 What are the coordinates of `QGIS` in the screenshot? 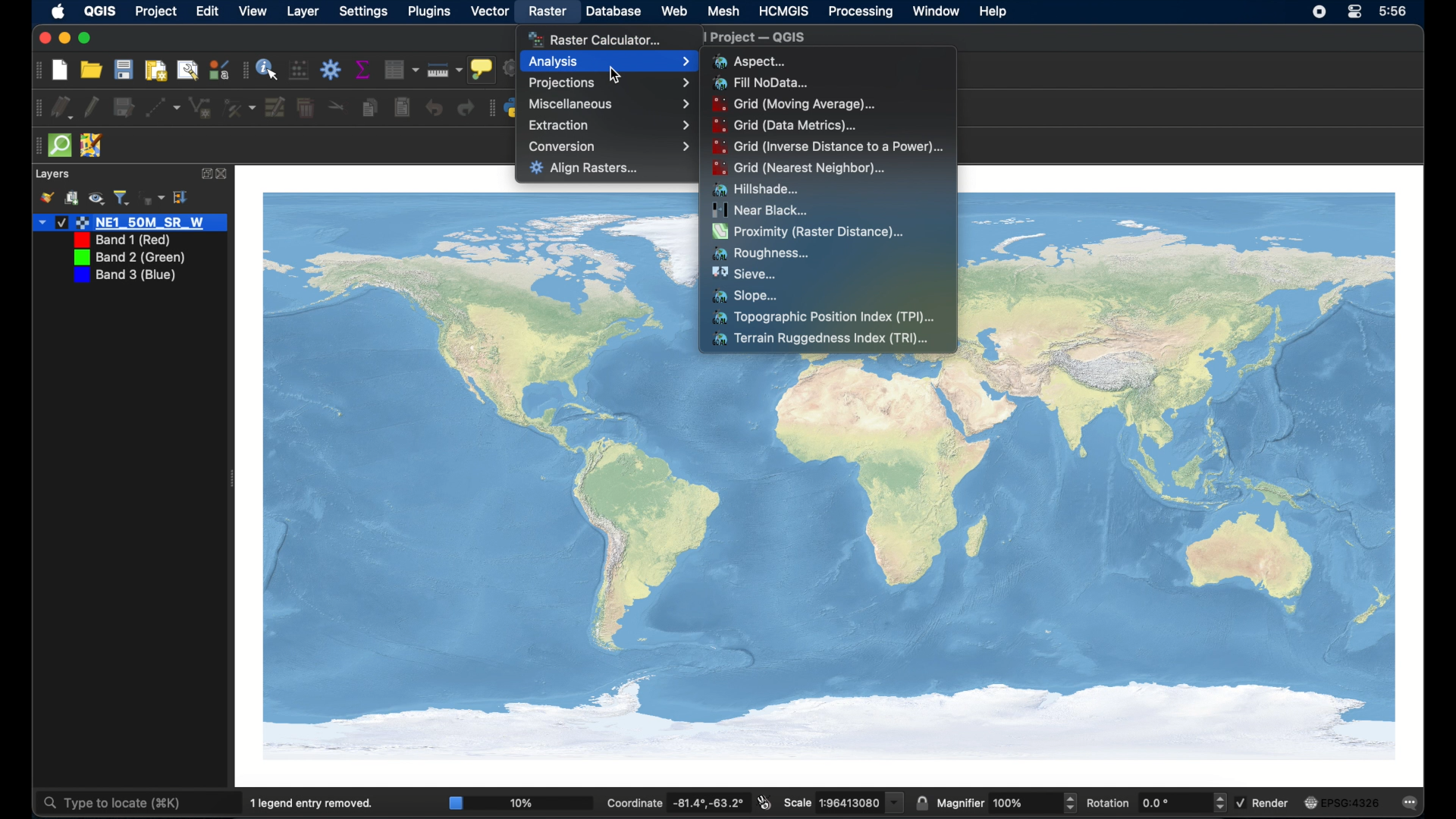 It's located at (102, 11).